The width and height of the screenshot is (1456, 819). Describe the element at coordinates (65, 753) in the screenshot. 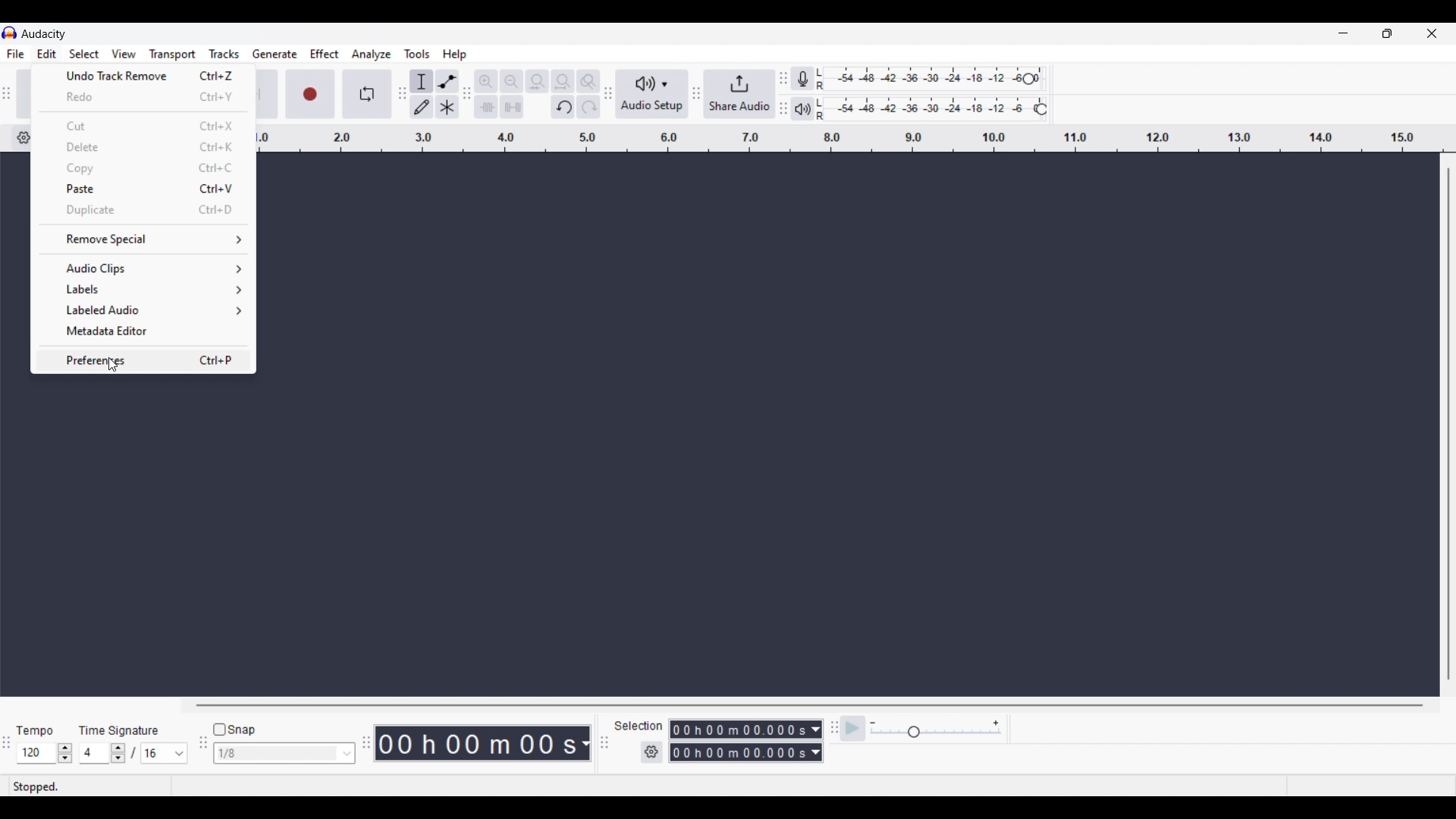

I see `Increase/Decrease tempo` at that location.